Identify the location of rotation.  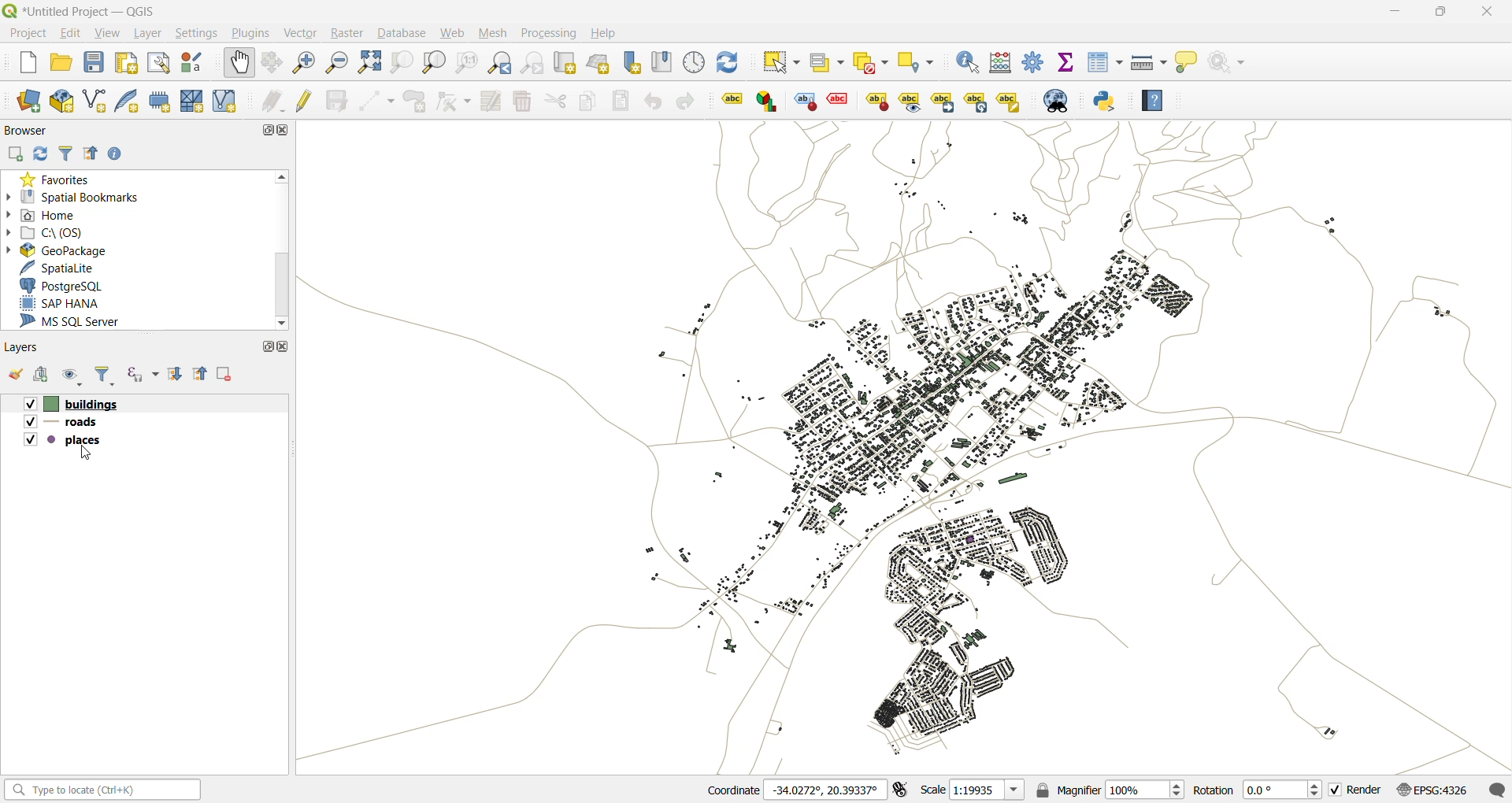
(1252, 789).